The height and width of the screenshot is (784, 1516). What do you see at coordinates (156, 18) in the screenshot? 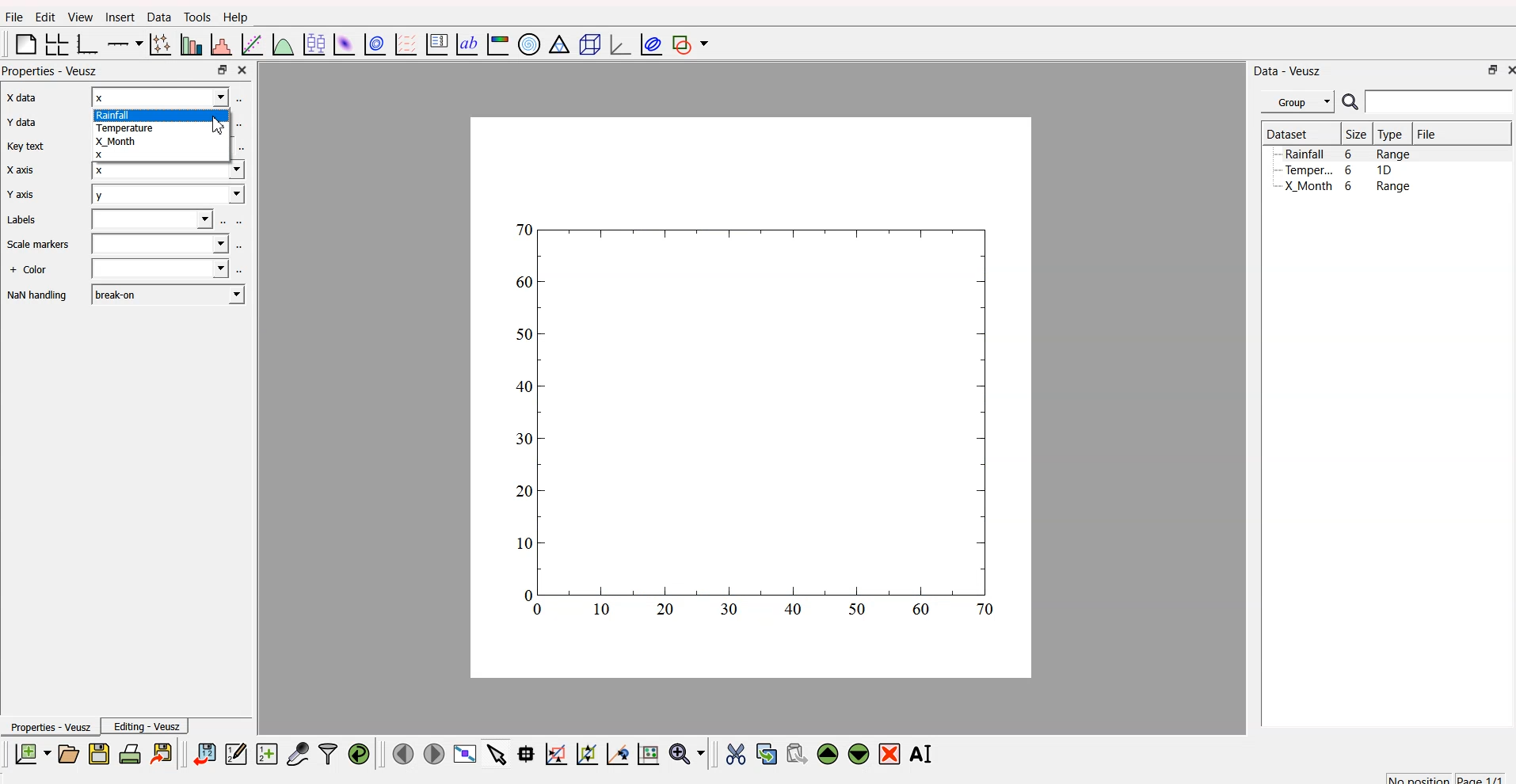
I see `Data` at bounding box center [156, 18].